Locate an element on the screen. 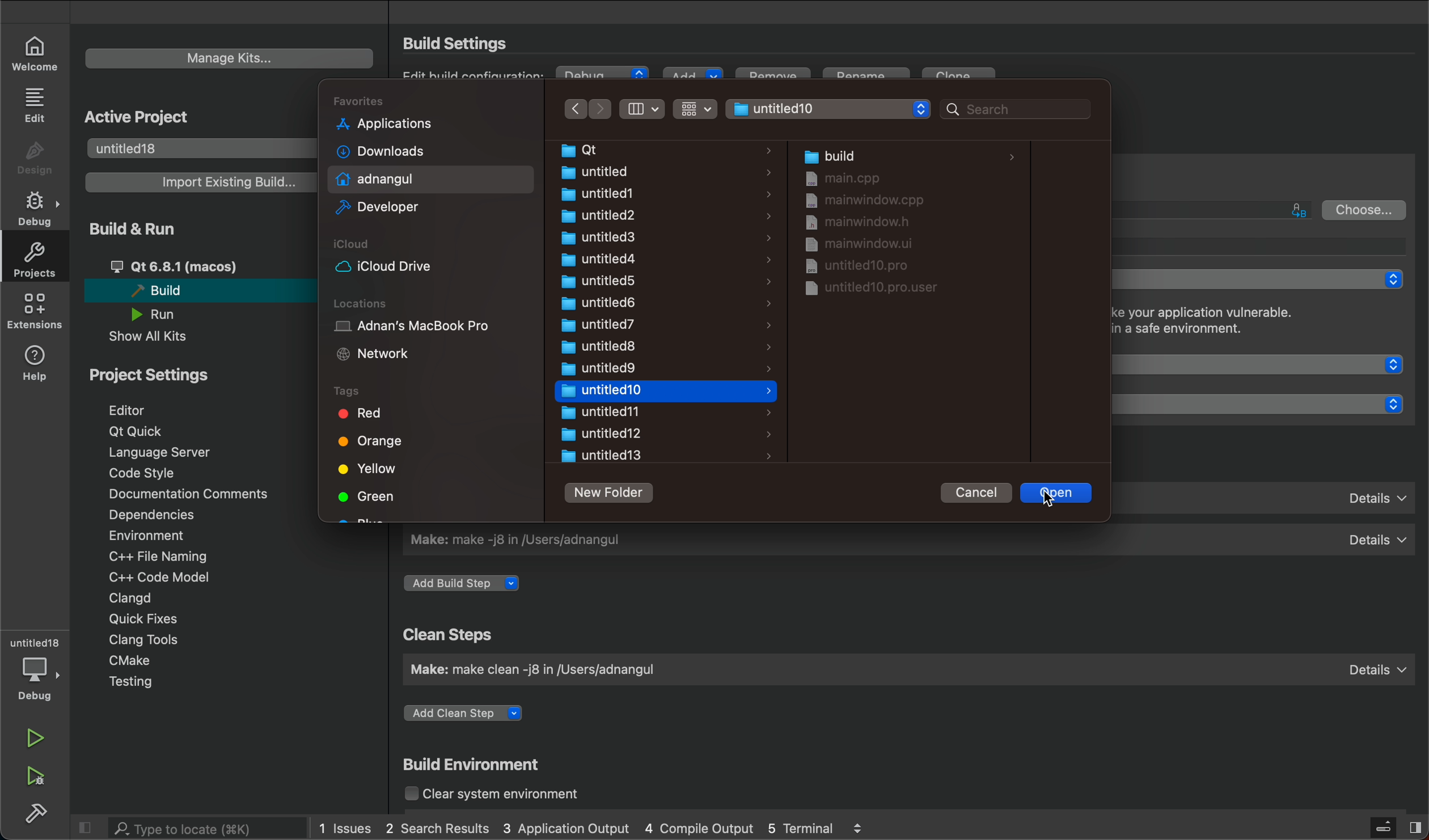  new folder is located at coordinates (610, 491).